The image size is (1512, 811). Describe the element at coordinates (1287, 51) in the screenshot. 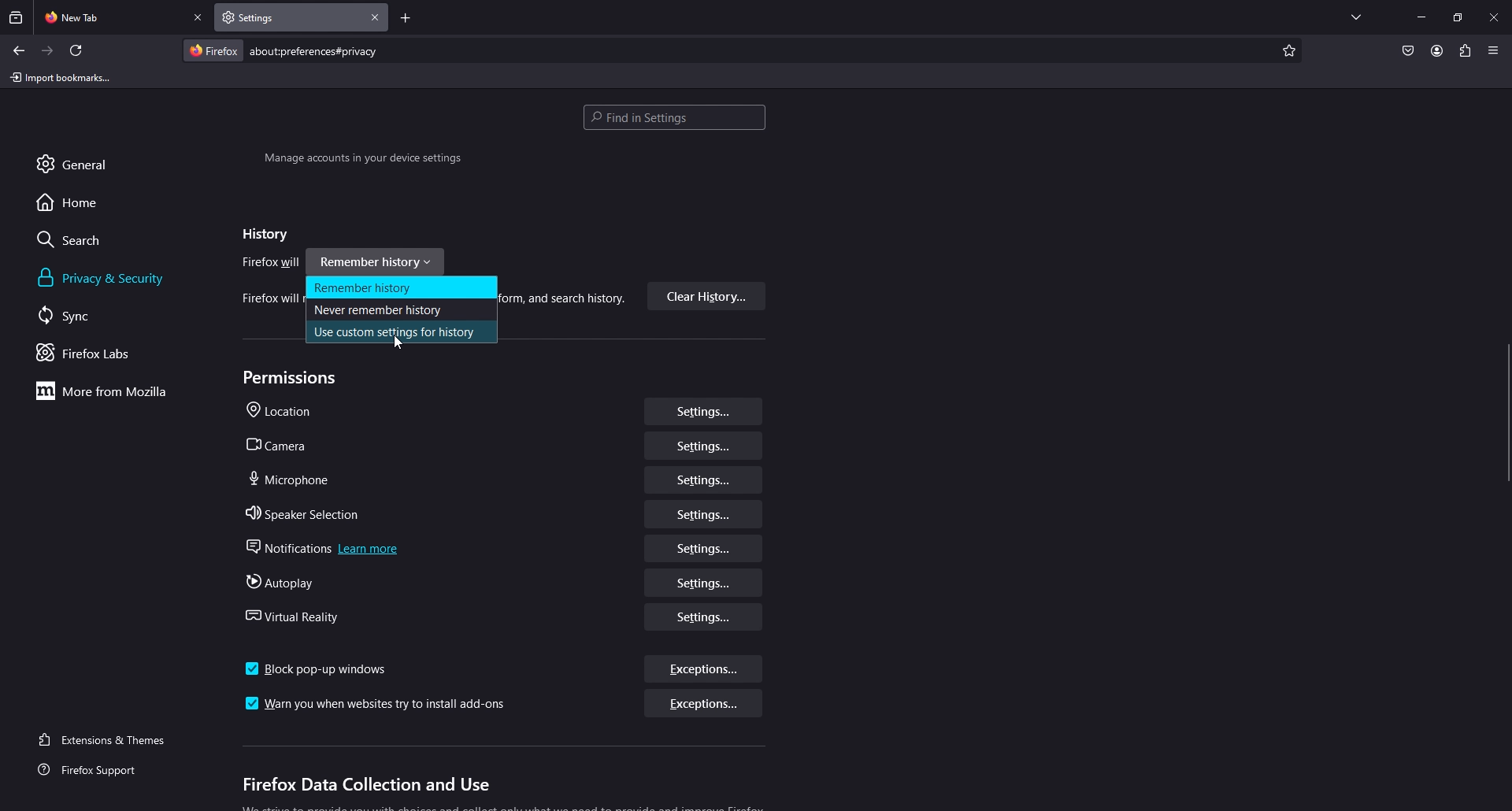

I see `add bookmark` at that location.